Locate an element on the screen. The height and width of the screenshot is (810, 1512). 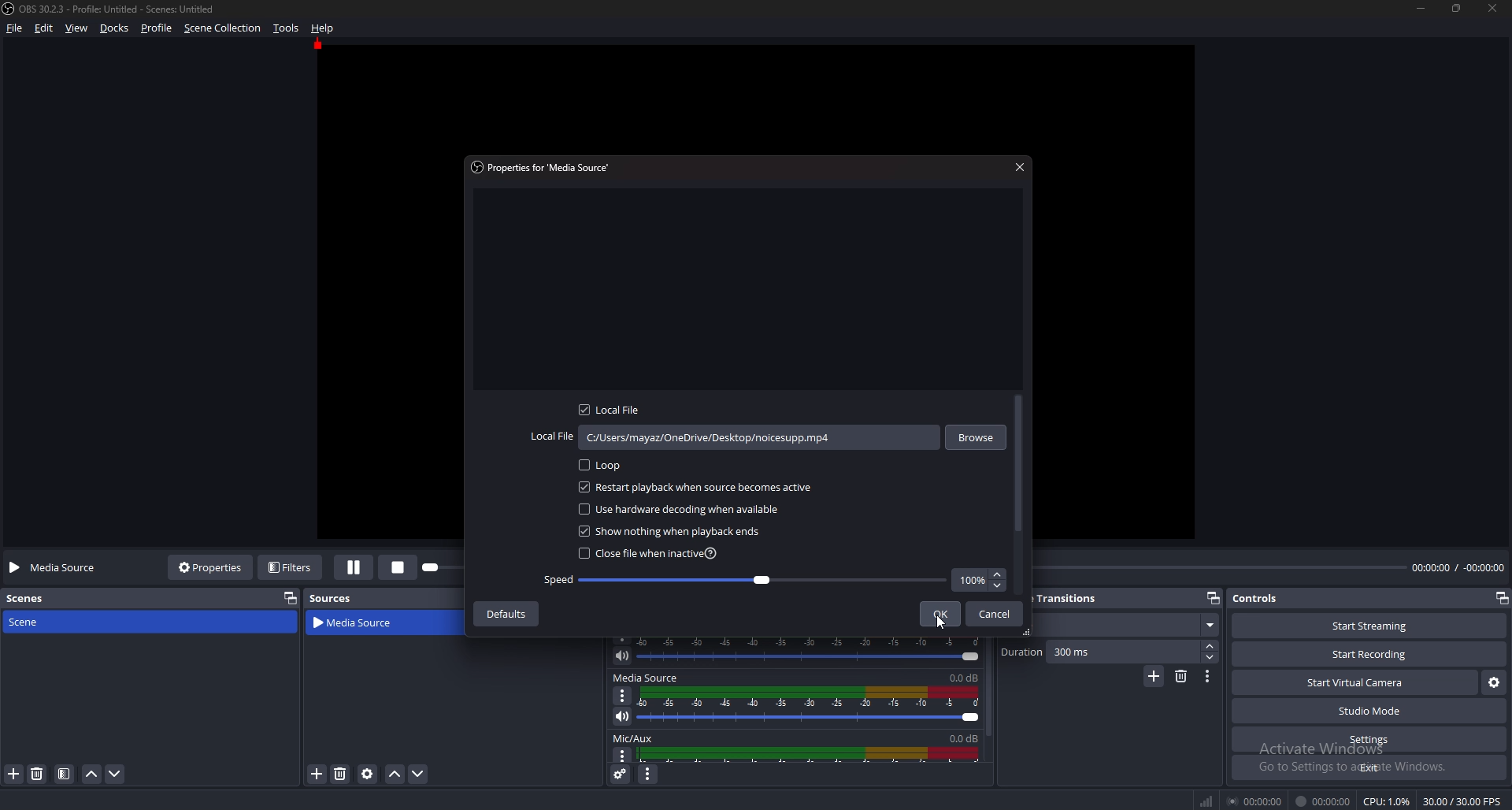
CPU: 1.0% is located at coordinates (1386, 801).